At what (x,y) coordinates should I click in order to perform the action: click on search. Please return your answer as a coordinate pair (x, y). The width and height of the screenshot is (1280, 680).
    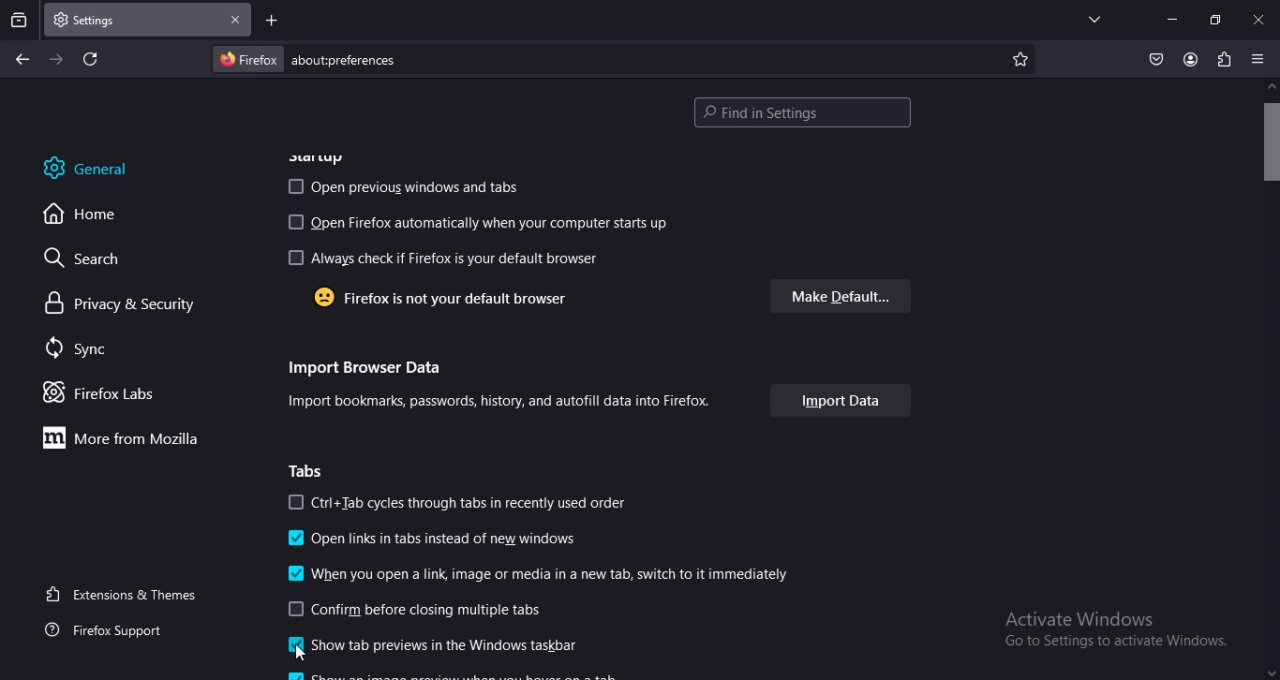
    Looking at the image, I should click on (80, 259).